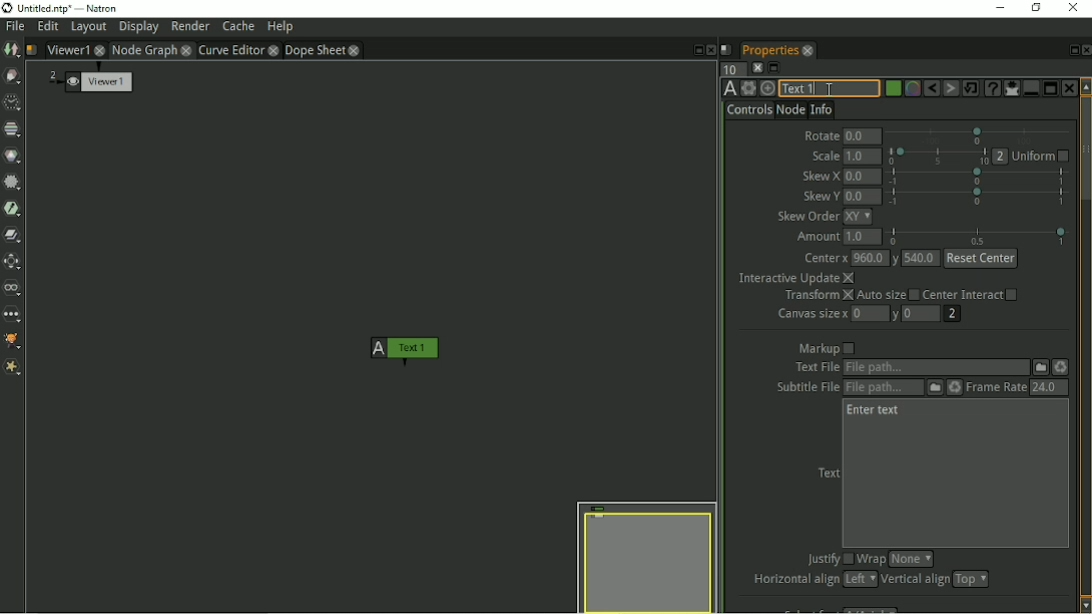  I want to click on reset center, so click(981, 257).